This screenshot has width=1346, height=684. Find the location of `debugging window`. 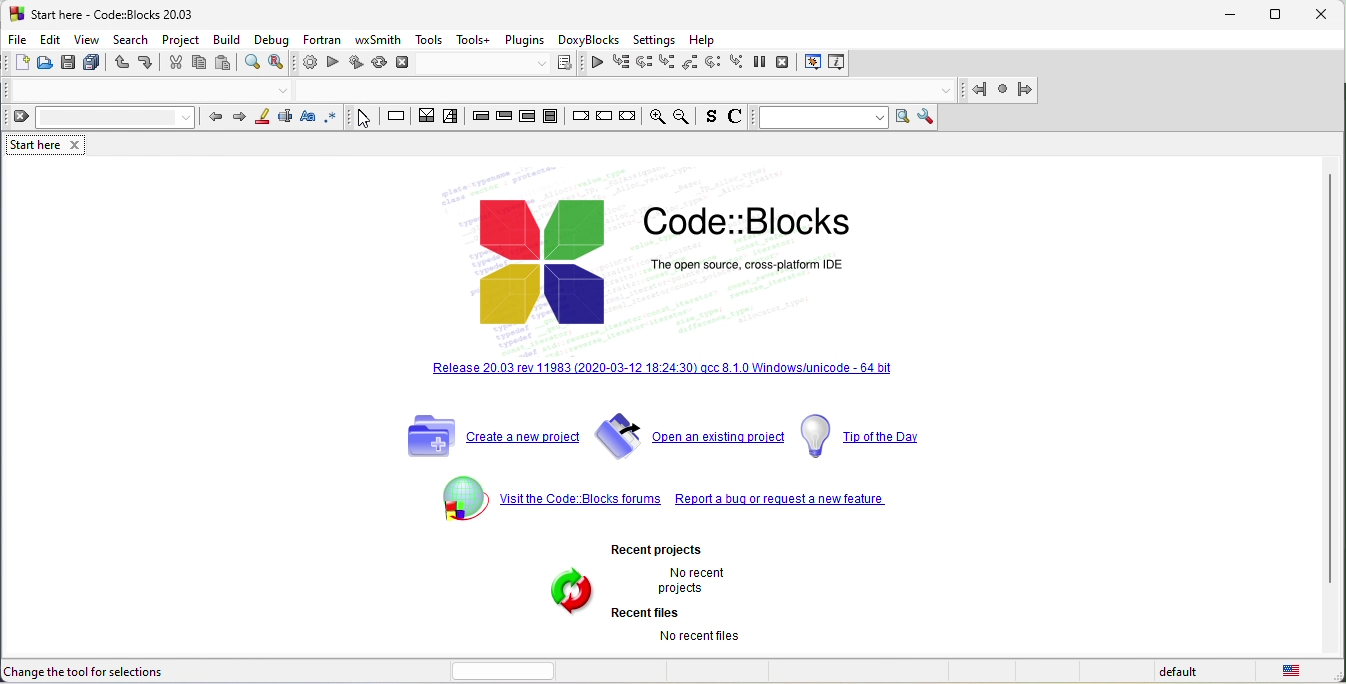

debugging window is located at coordinates (814, 63).